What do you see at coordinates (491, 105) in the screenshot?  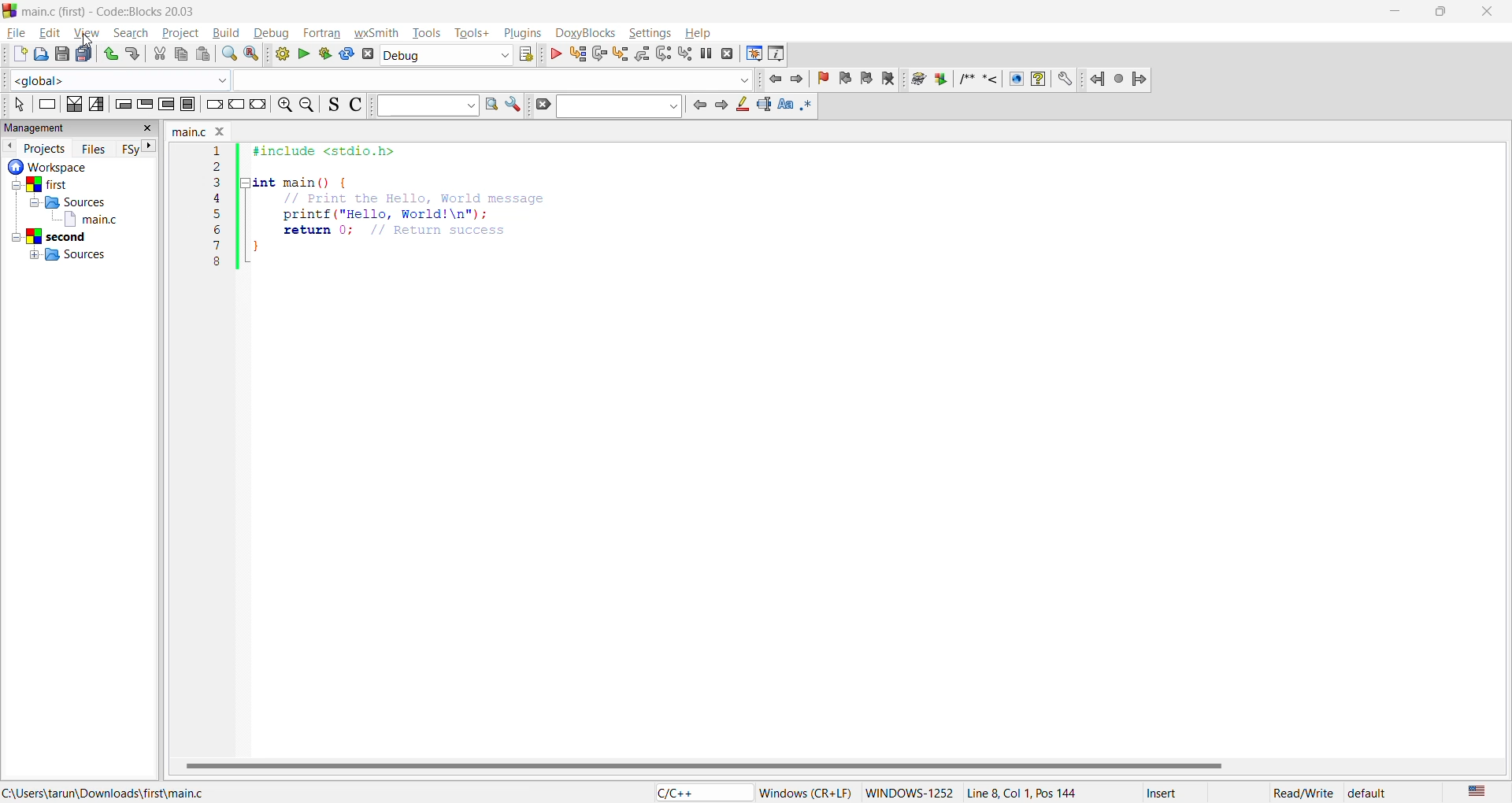 I see `run search` at bounding box center [491, 105].